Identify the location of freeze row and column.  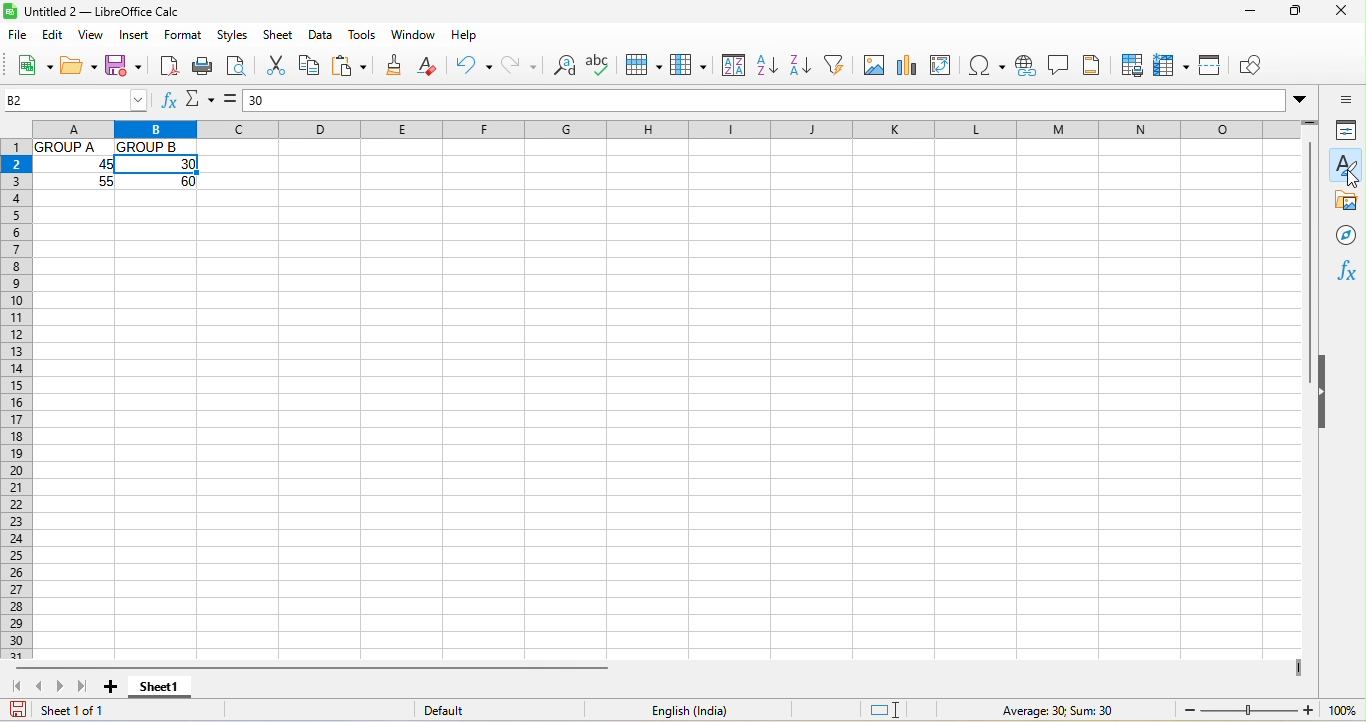
(1171, 67).